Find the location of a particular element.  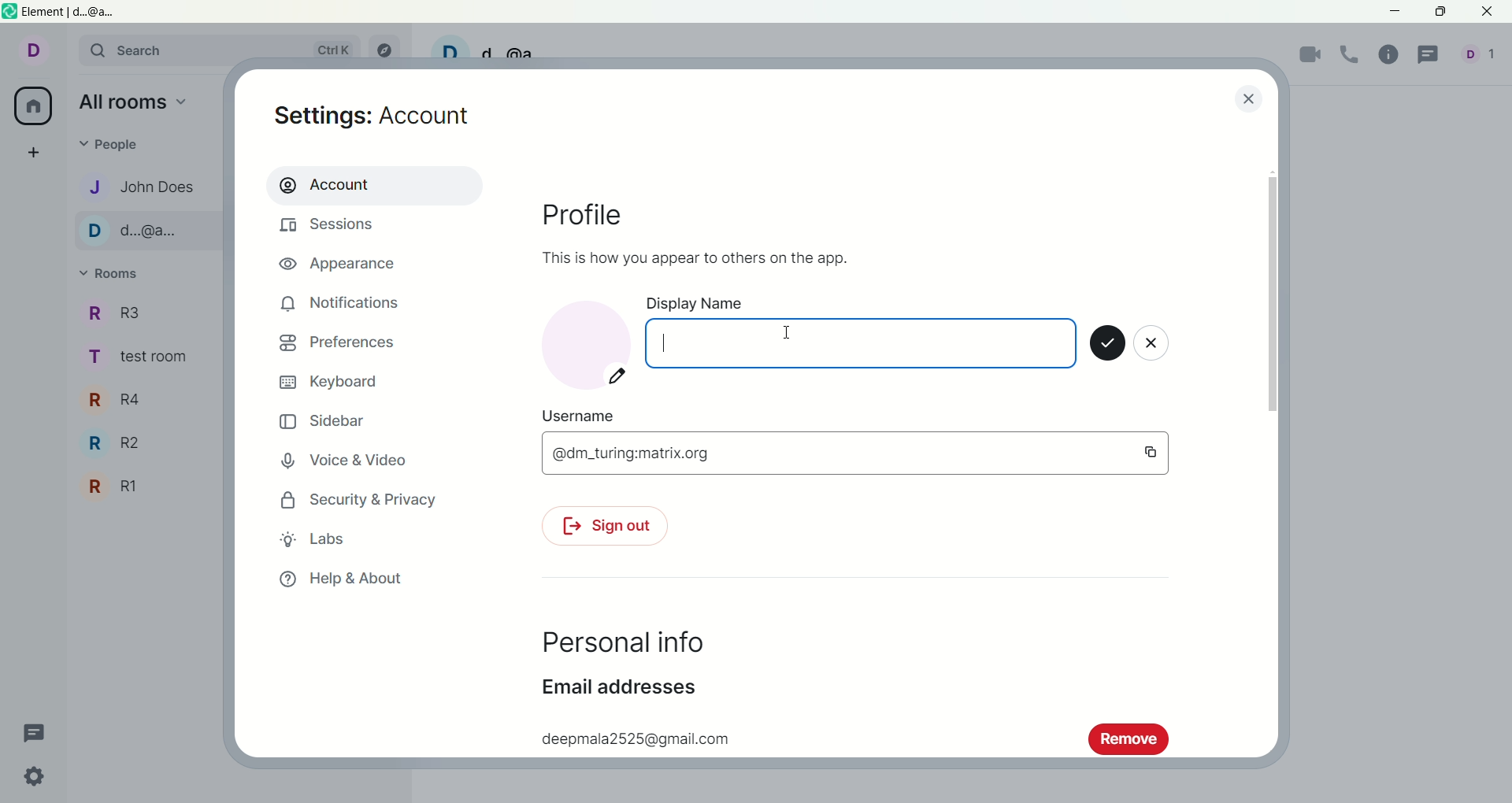

create a space is located at coordinates (39, 154).